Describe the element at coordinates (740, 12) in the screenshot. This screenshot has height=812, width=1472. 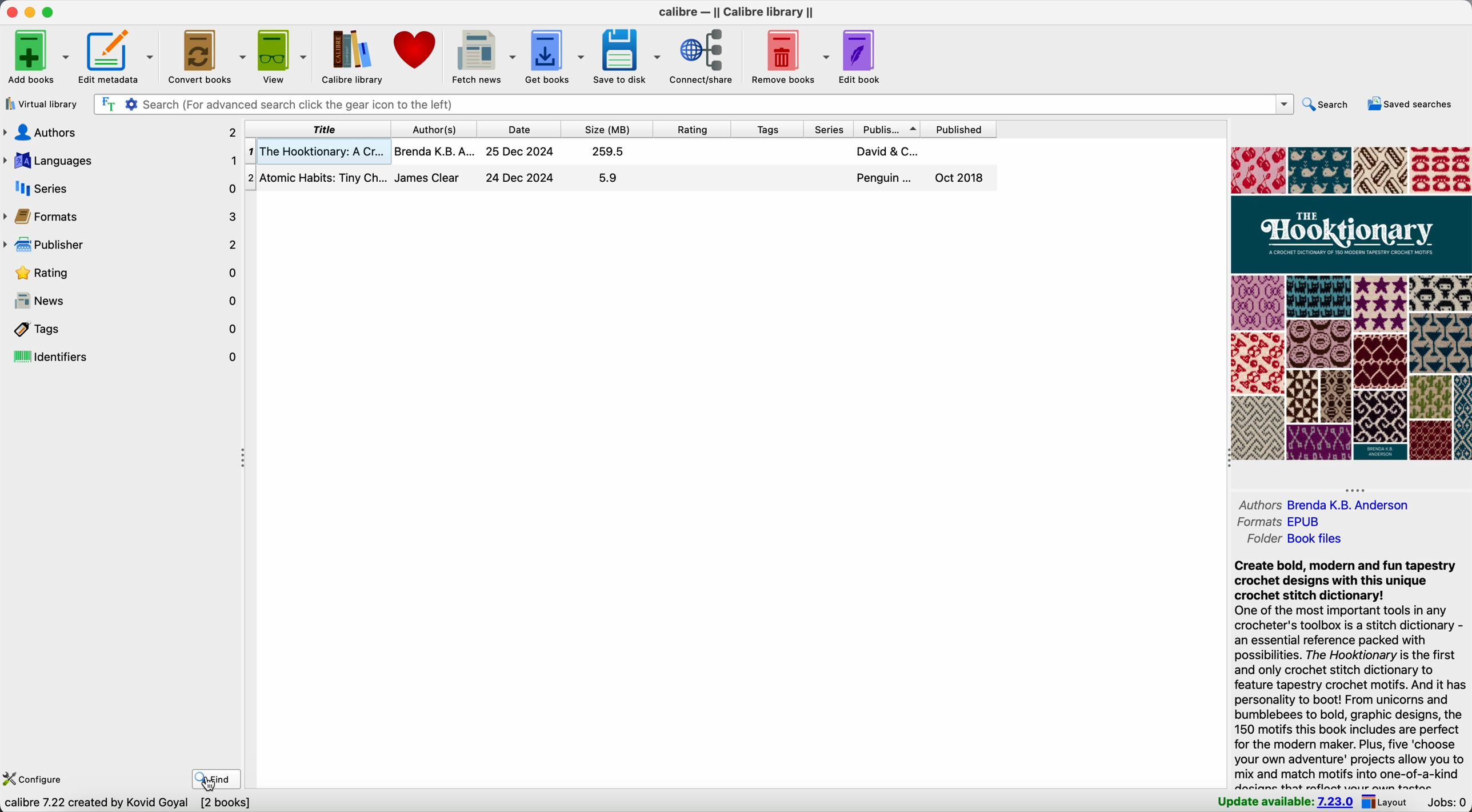
I see `Calibre` at that location.